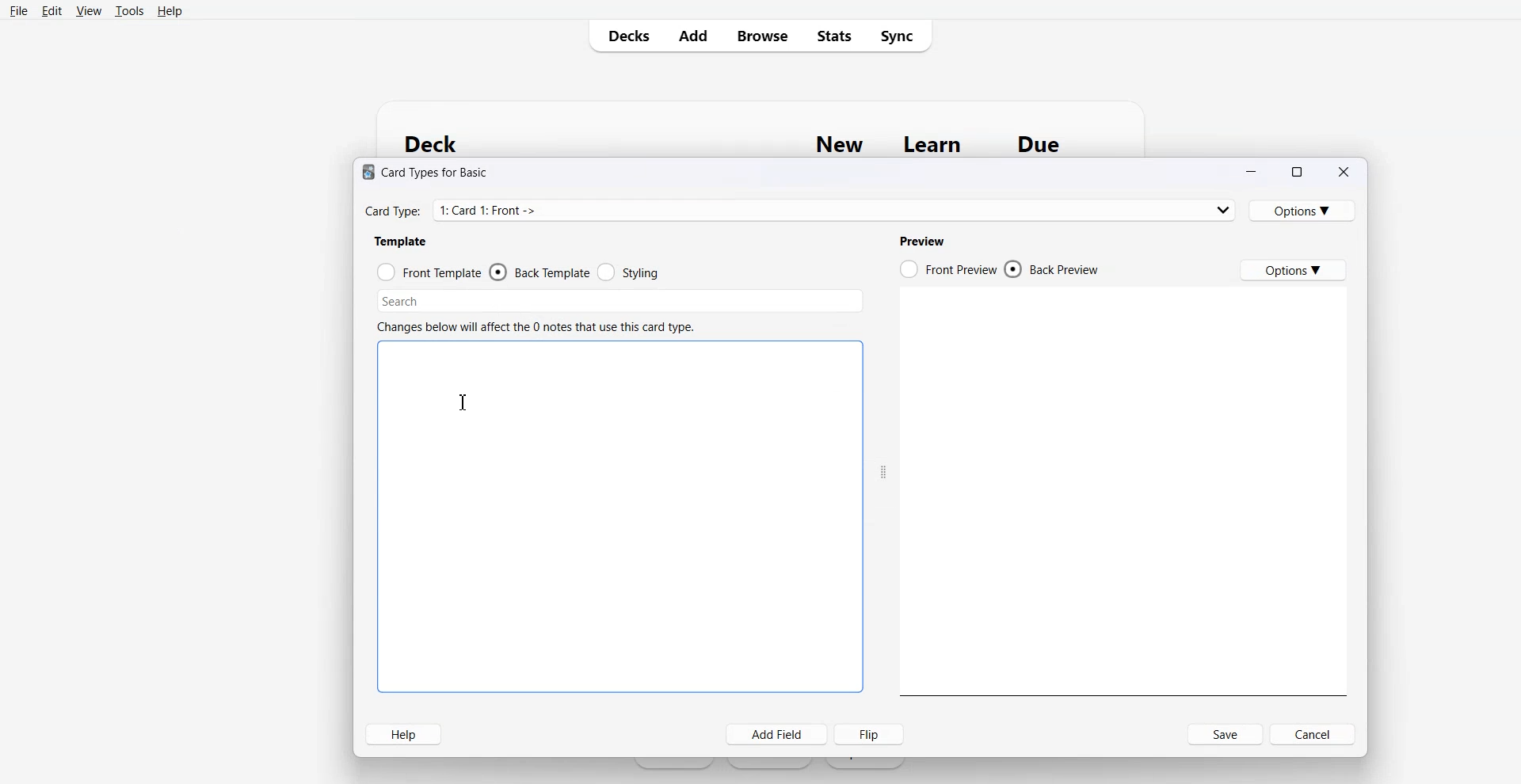  Describe the element at coordinates (400, 243) in the screenshot. I see `Template` at that location.